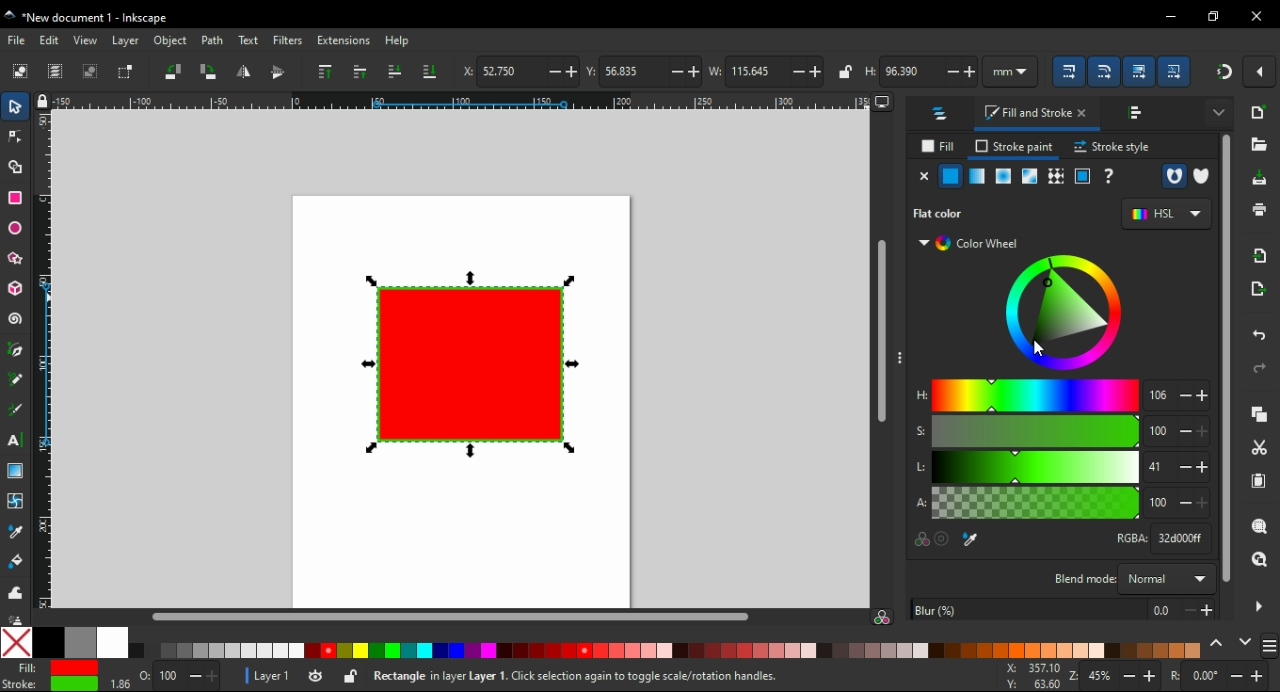  Describe the element at coordinates (15, 562) in the screenshot. I see `paint bucket tool` at that location.